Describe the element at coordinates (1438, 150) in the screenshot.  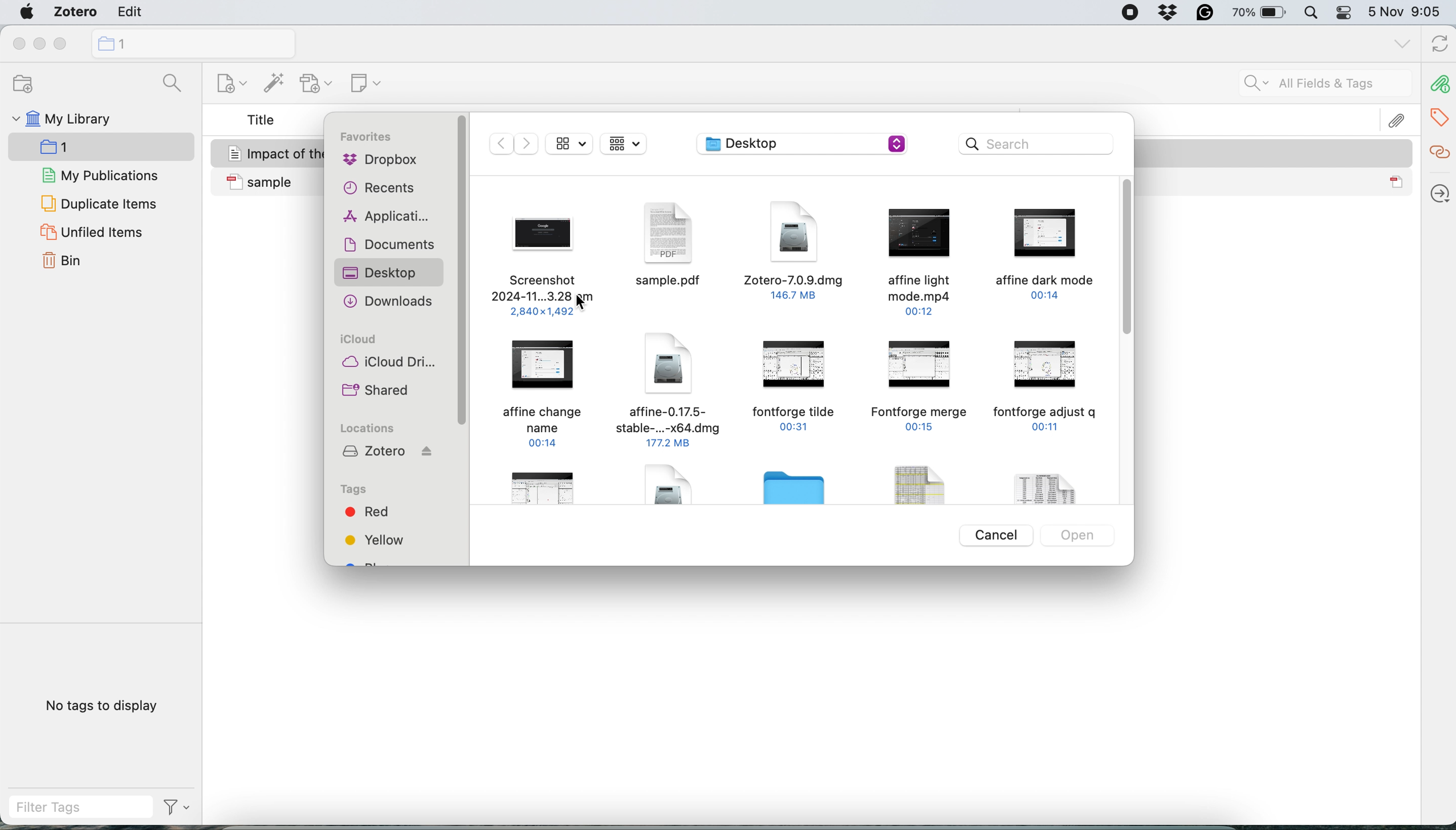
I see `related` at that location.